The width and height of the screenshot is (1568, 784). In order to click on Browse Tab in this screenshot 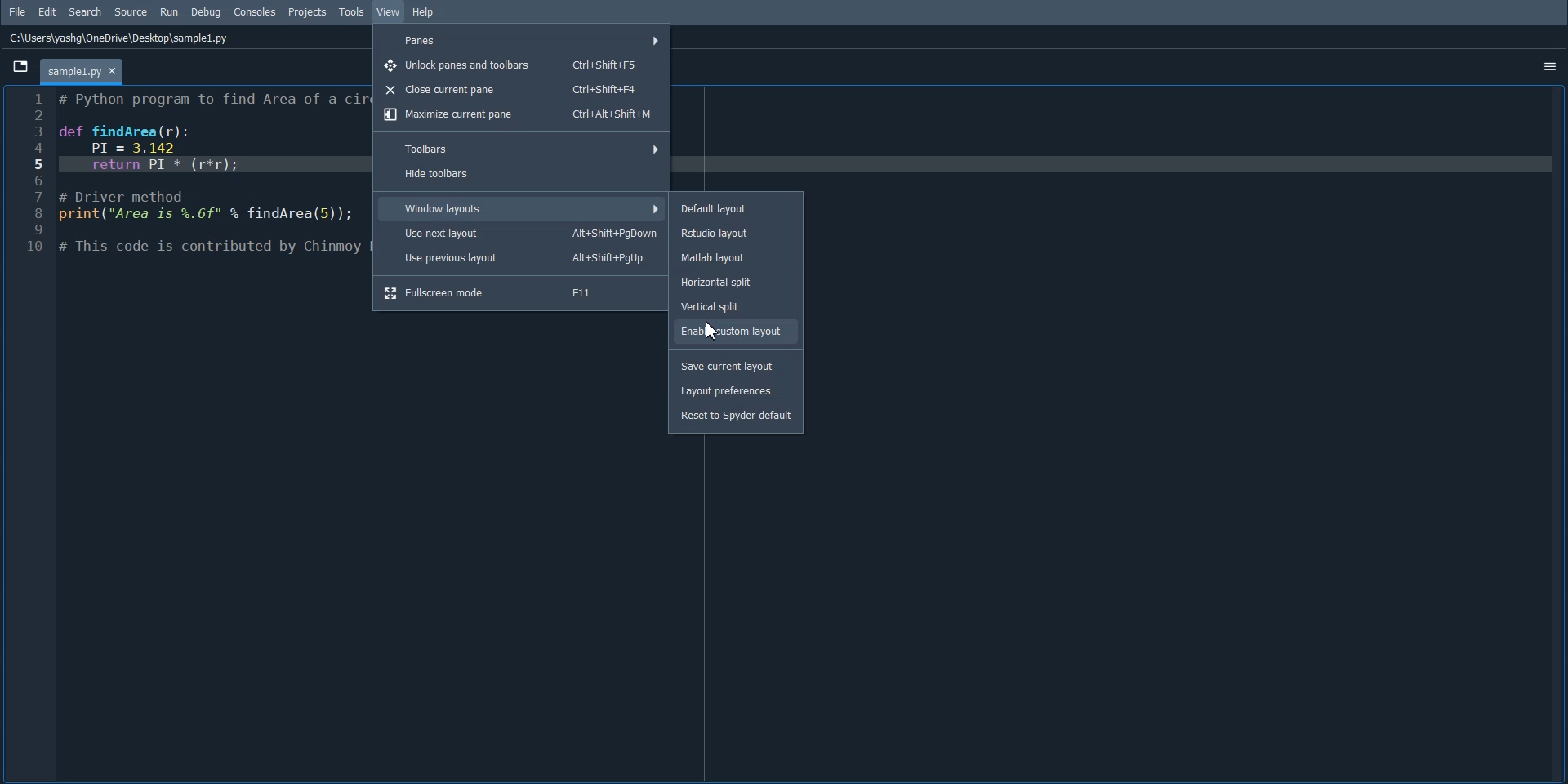, I will do `click(19, 66)`.